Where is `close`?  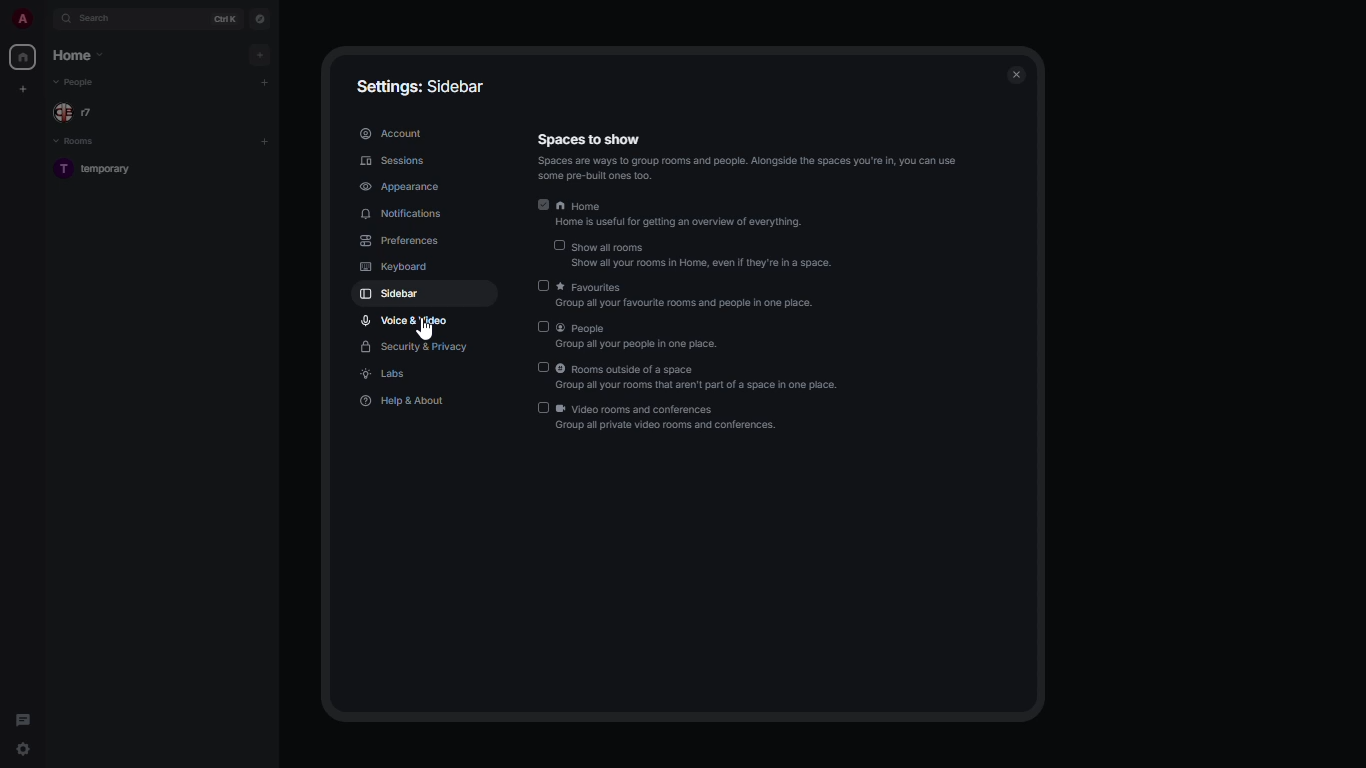 close is located at coordinates (1017, 75).